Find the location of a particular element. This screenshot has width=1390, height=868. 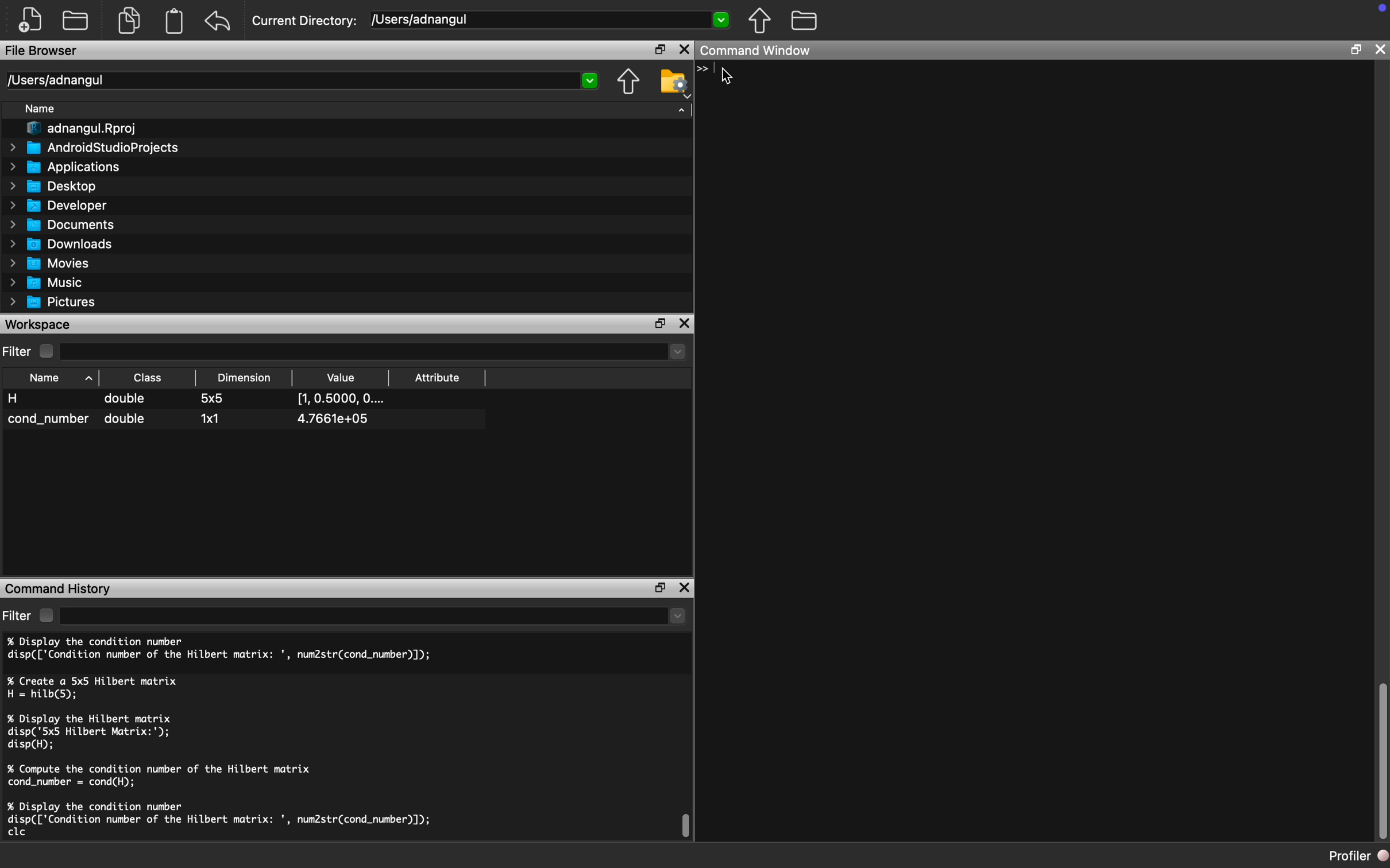

% Display the Hilbert matrix
disp('5x5 Hilbert Matrix:');
disp(H); is located at coordinates (96, 731).